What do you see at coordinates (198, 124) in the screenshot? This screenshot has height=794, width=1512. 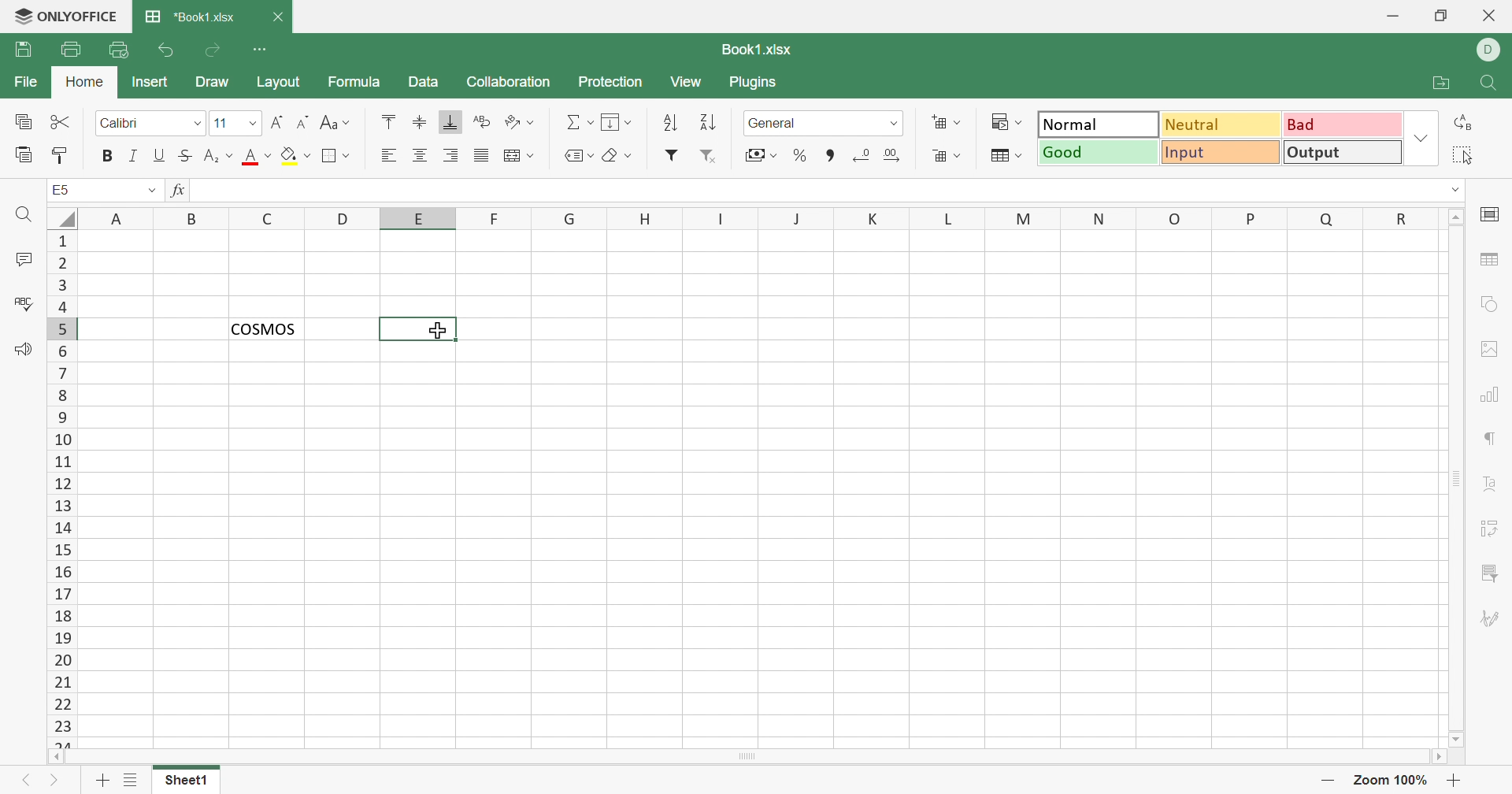 I see `Drop down` at bounding box center [198, 124].